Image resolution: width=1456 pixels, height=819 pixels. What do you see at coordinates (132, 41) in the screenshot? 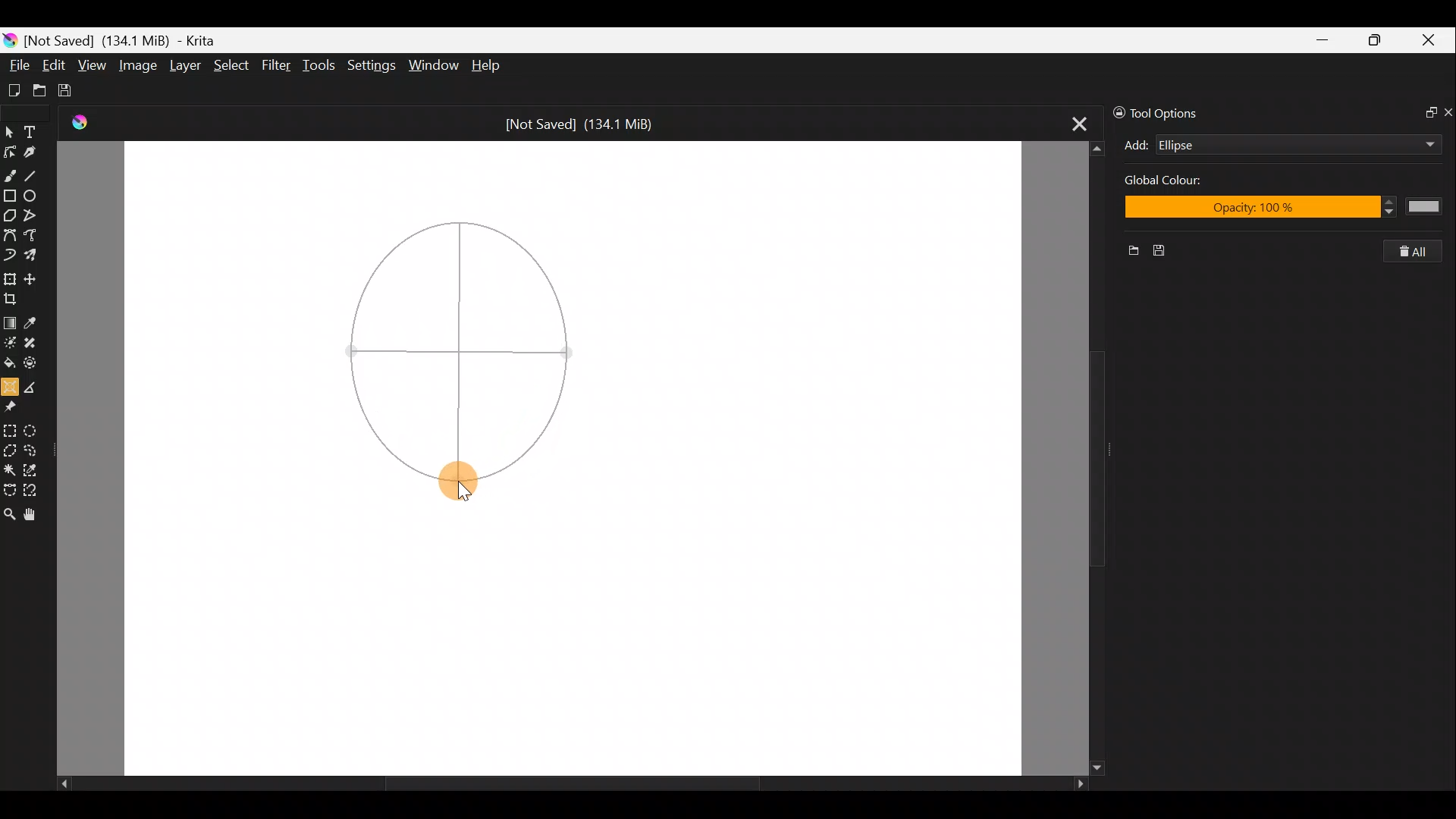
I see `[Not Saved] (134.1 MiB) - Krita` at bounding box center [132, 41].